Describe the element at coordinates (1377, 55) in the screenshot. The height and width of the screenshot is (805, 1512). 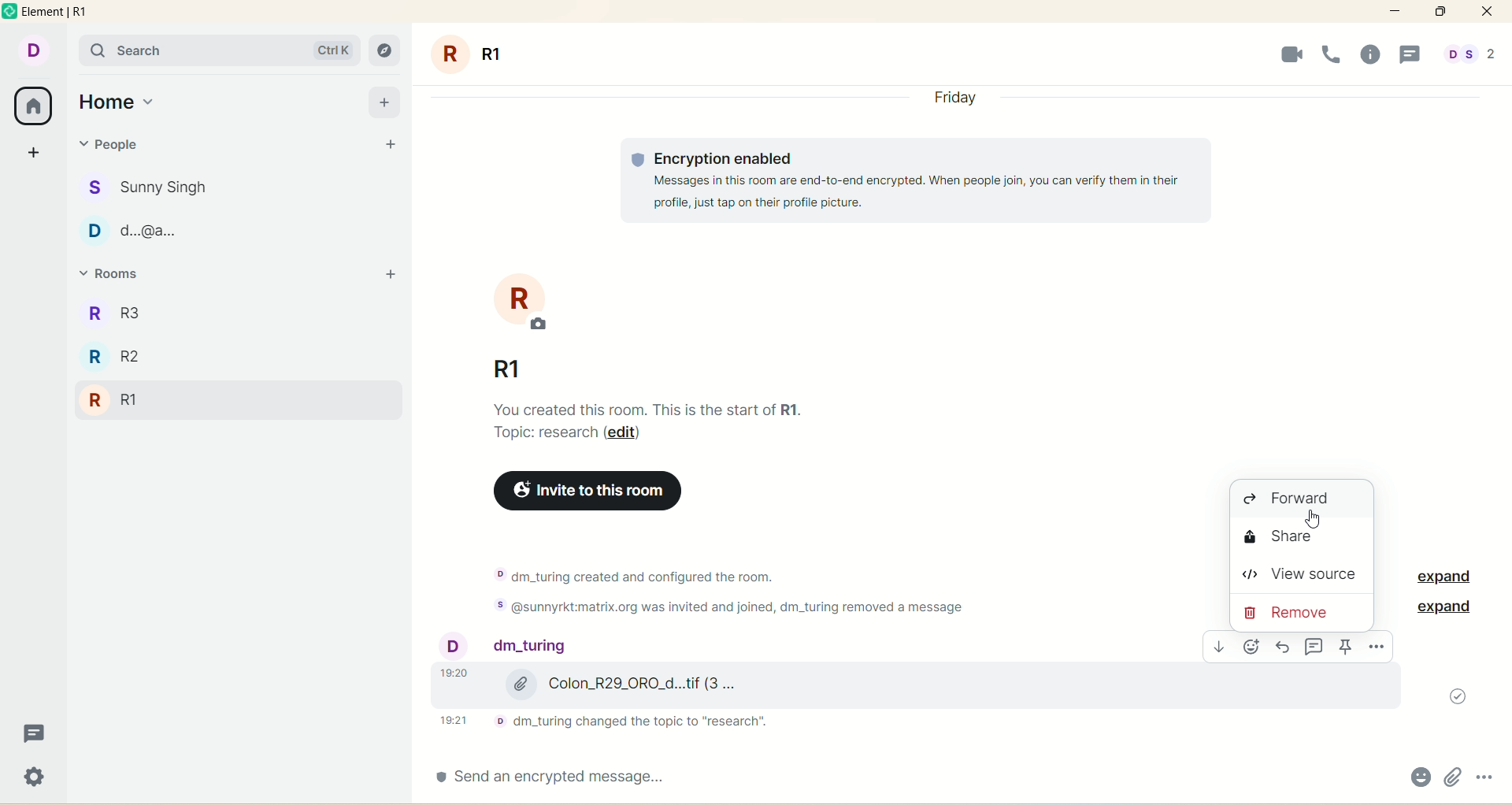
I see `room info` at that location.